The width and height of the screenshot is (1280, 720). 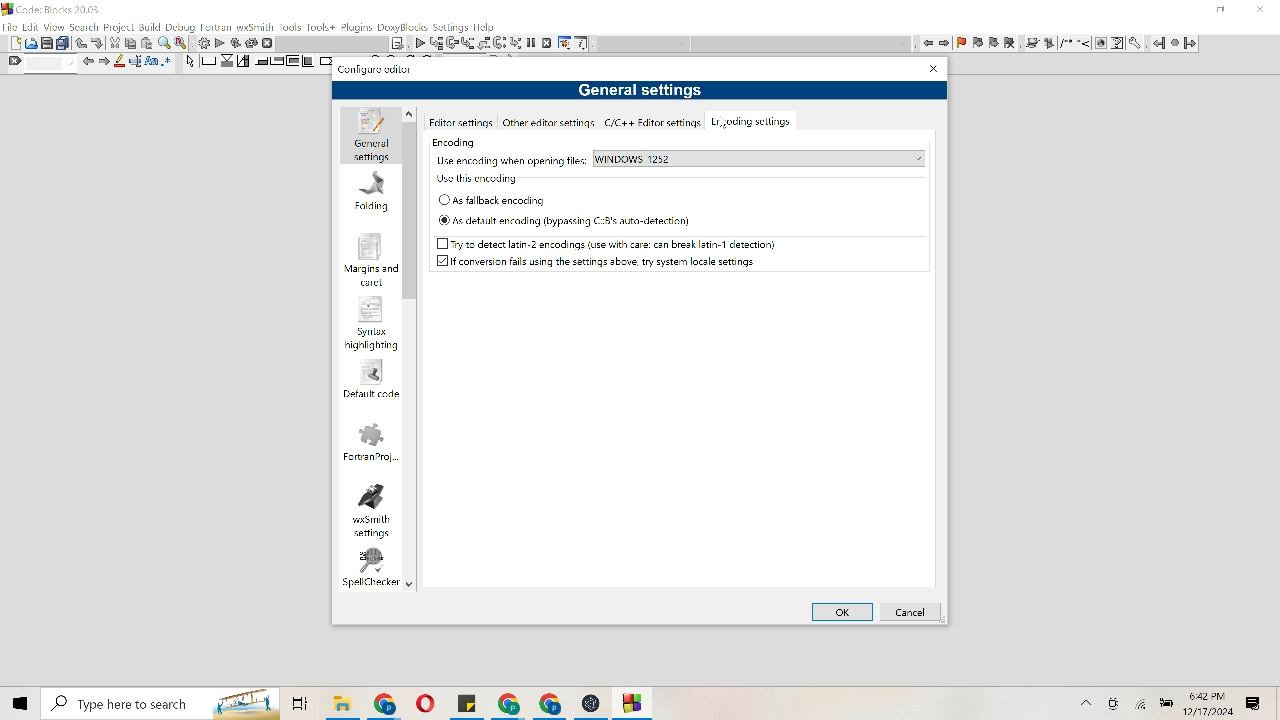 What do you see at coordinates (484, 27) in the screenshot?
I see `help` at bounding box center [484, 27].